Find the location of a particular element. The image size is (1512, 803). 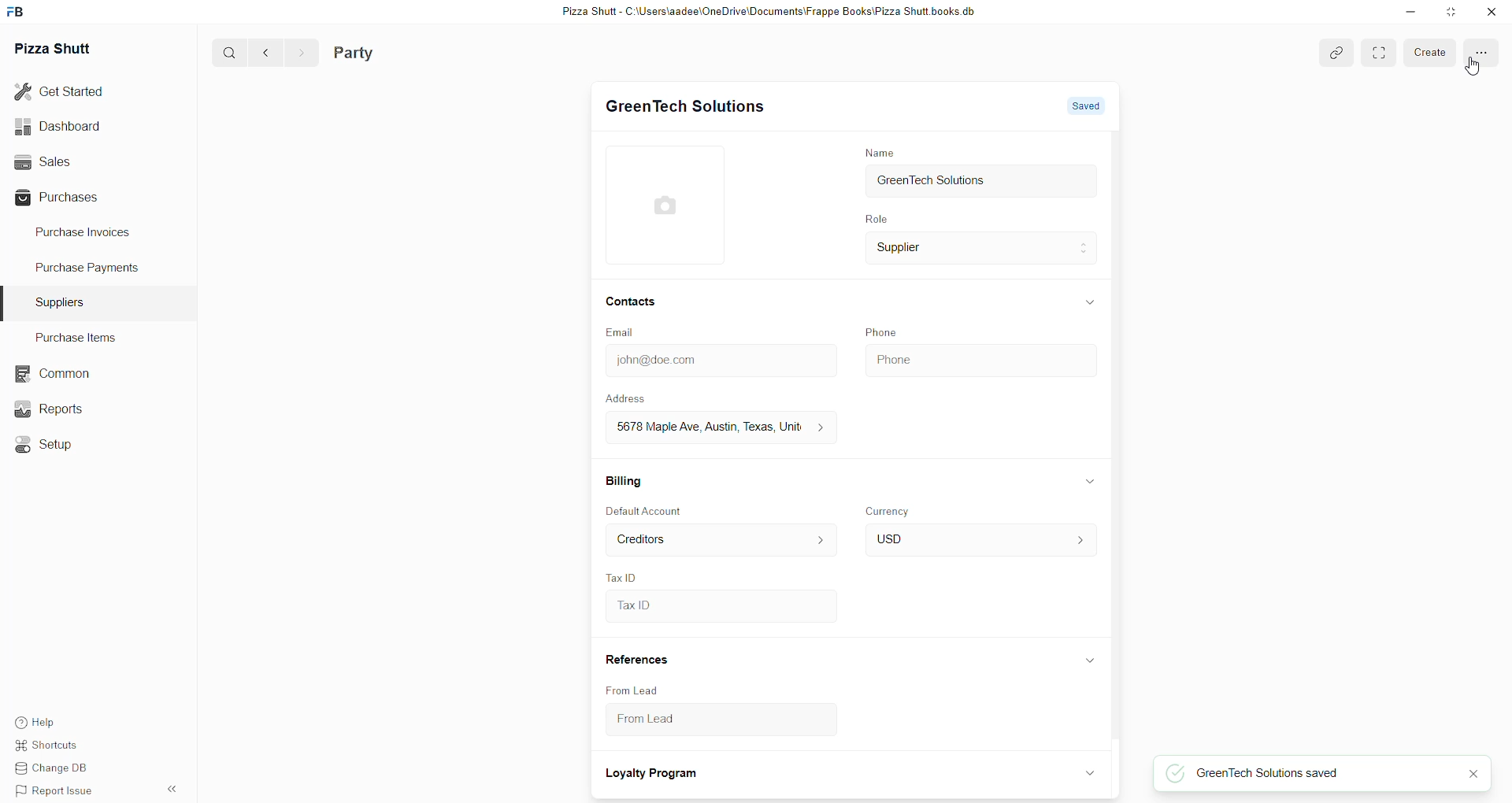

Dashboard is located at coordinates (76, 127).